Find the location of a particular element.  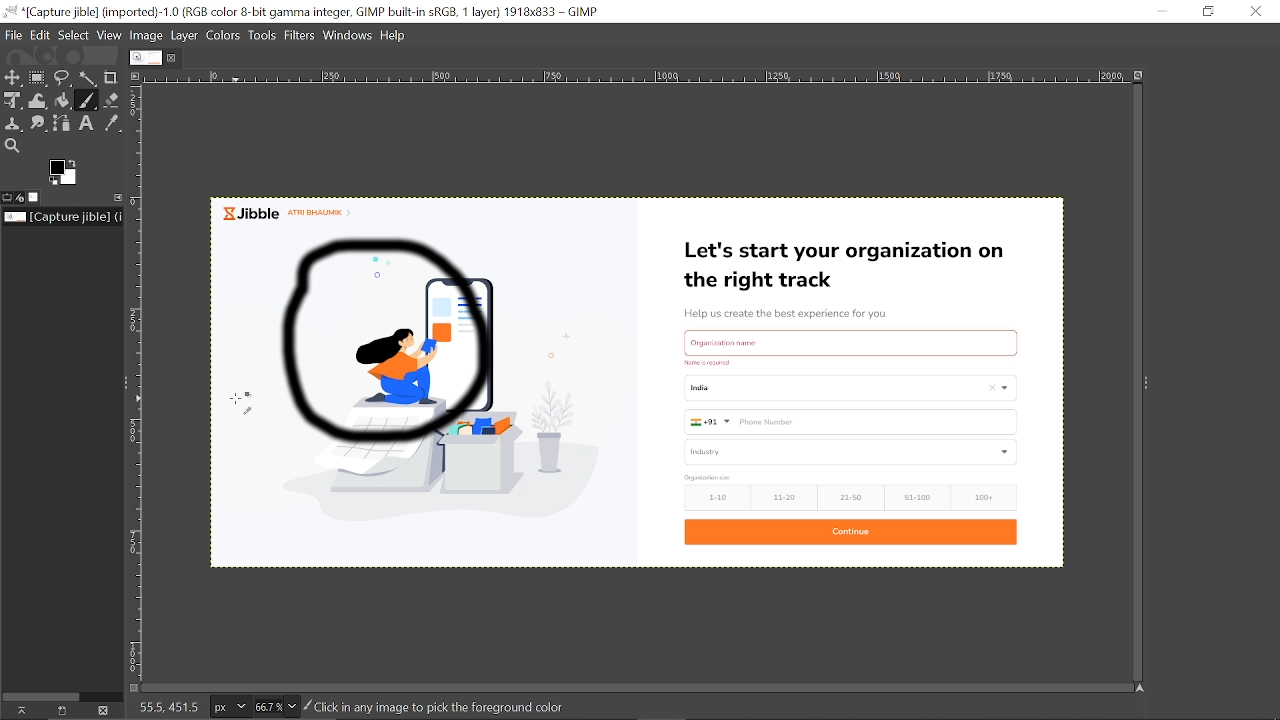

Eraser tool is located at coordinates (112, 100).